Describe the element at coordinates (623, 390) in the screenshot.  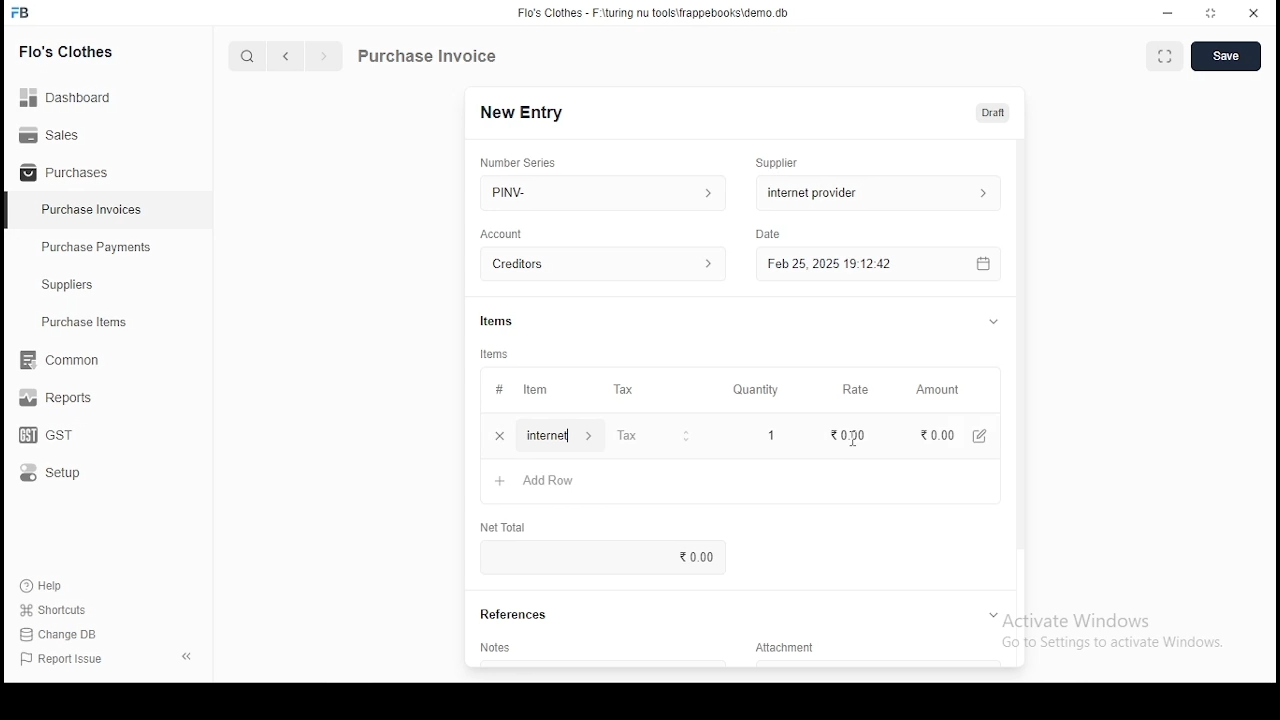
I see `tax` at that location.